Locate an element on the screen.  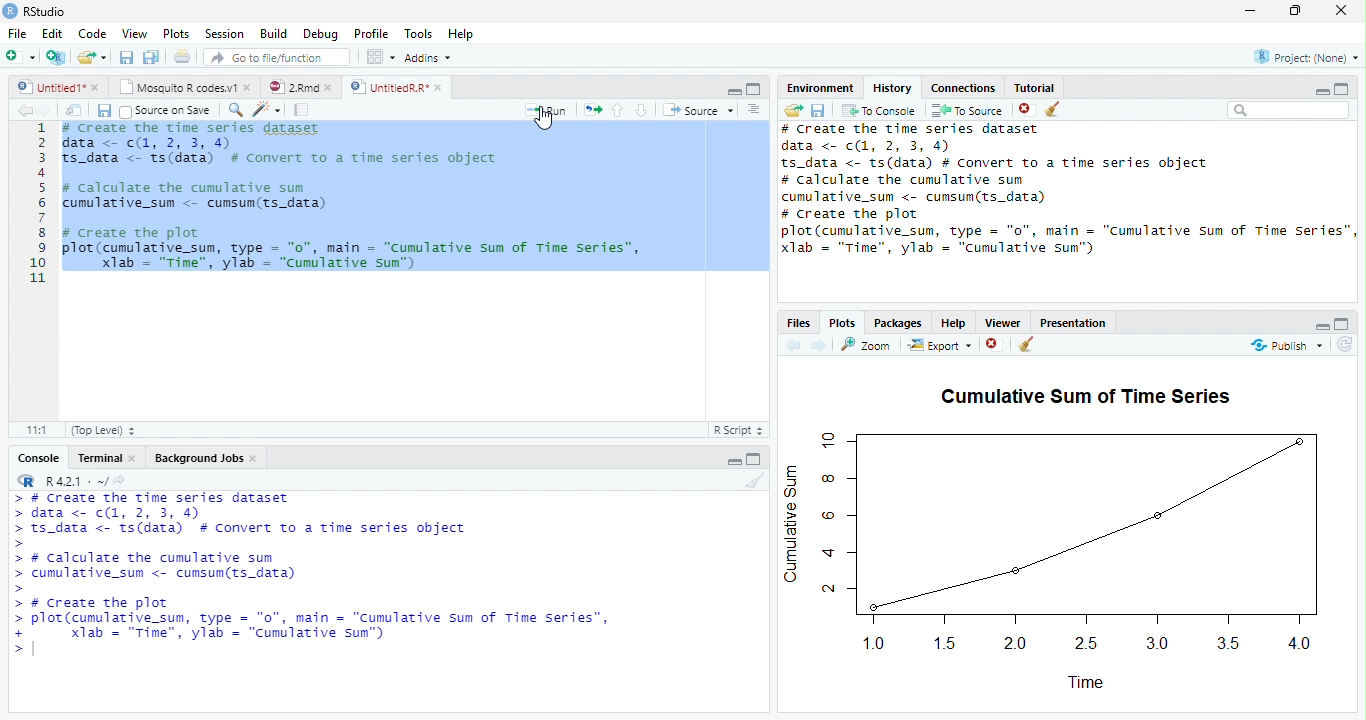
Open an existing file is located at coordinates (94, 57).